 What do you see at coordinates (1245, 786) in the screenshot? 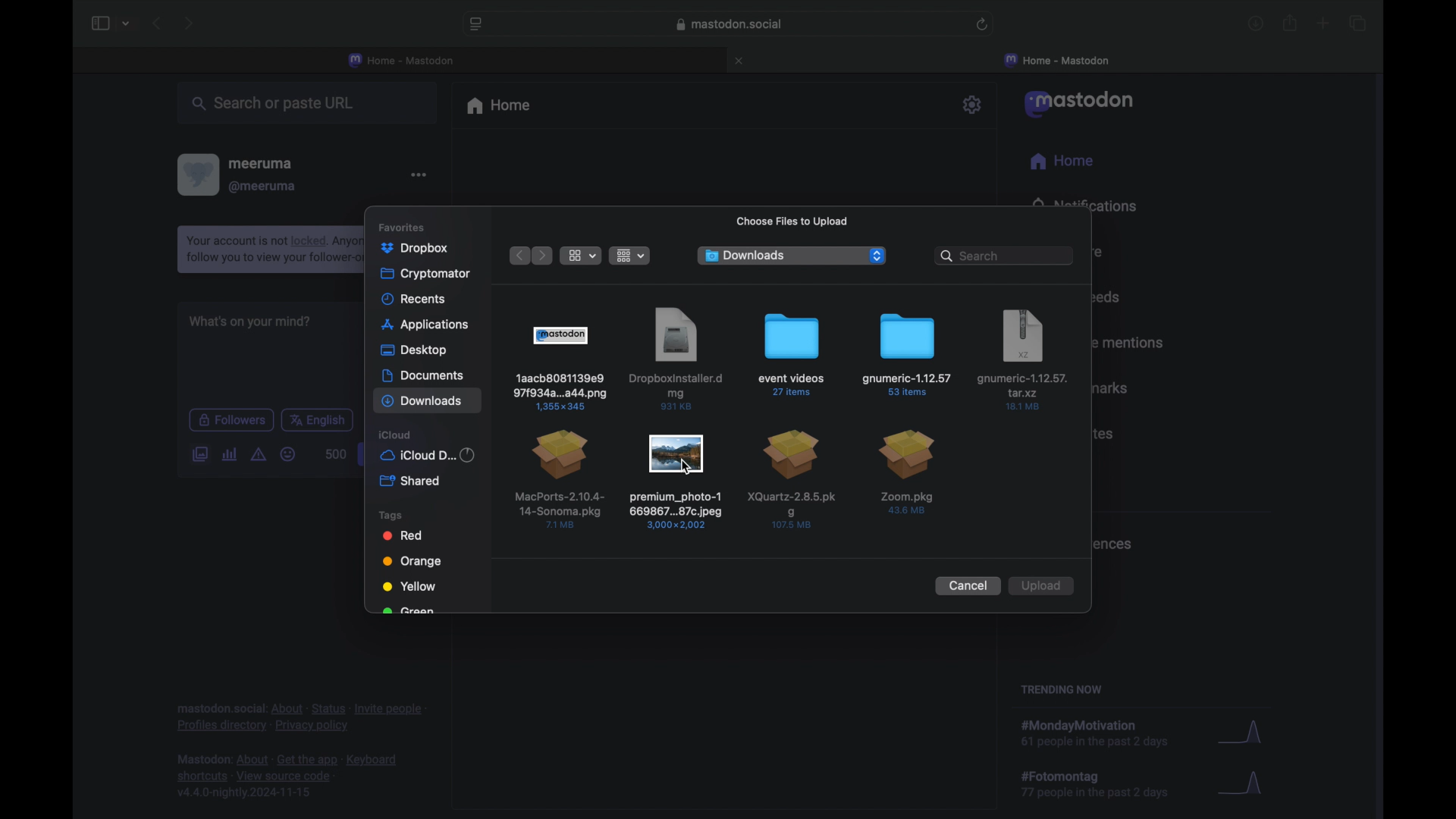
I see `graph` at bounding box center [1245, 786].